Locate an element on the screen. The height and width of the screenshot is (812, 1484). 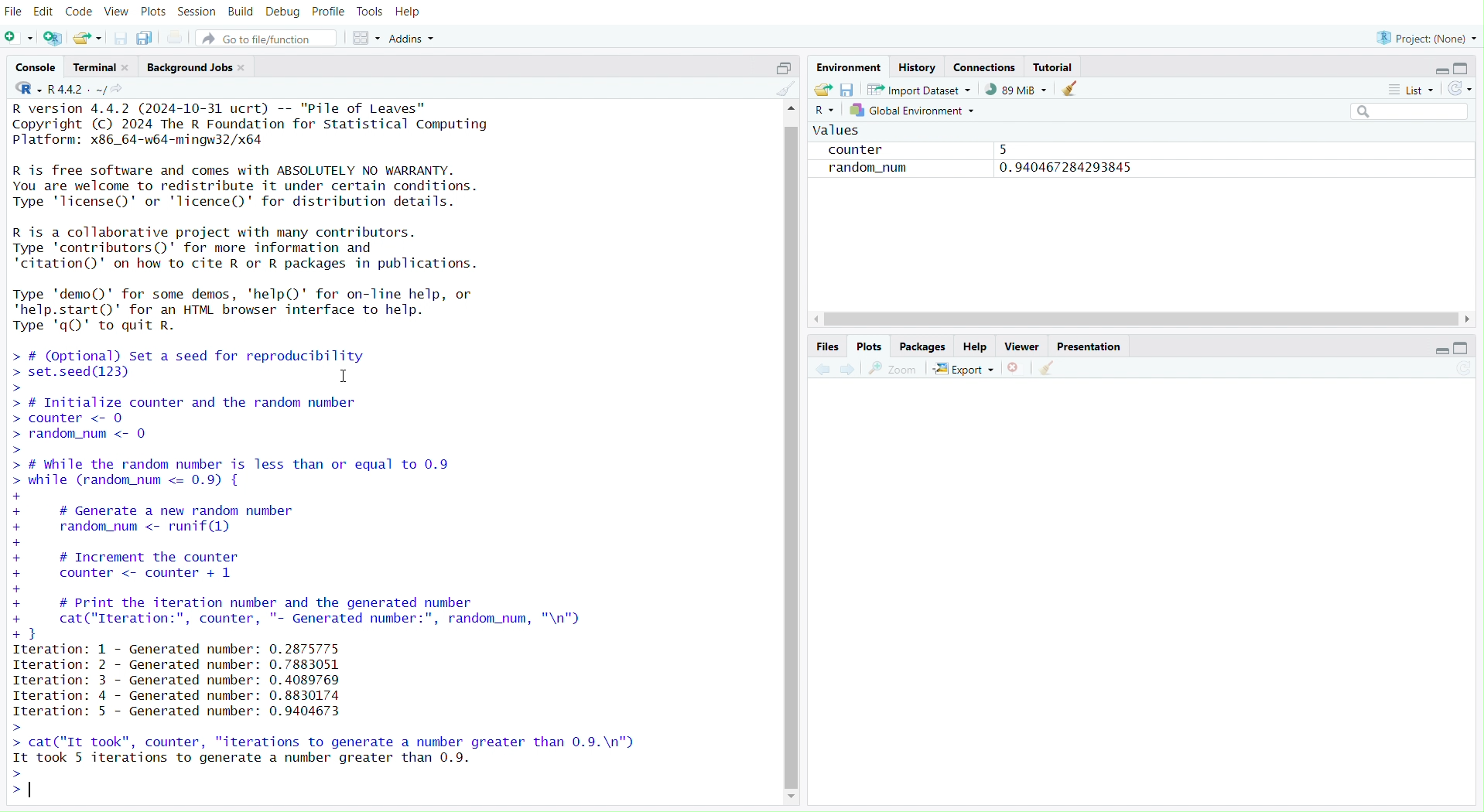
History is located at coordinates (922, 65).